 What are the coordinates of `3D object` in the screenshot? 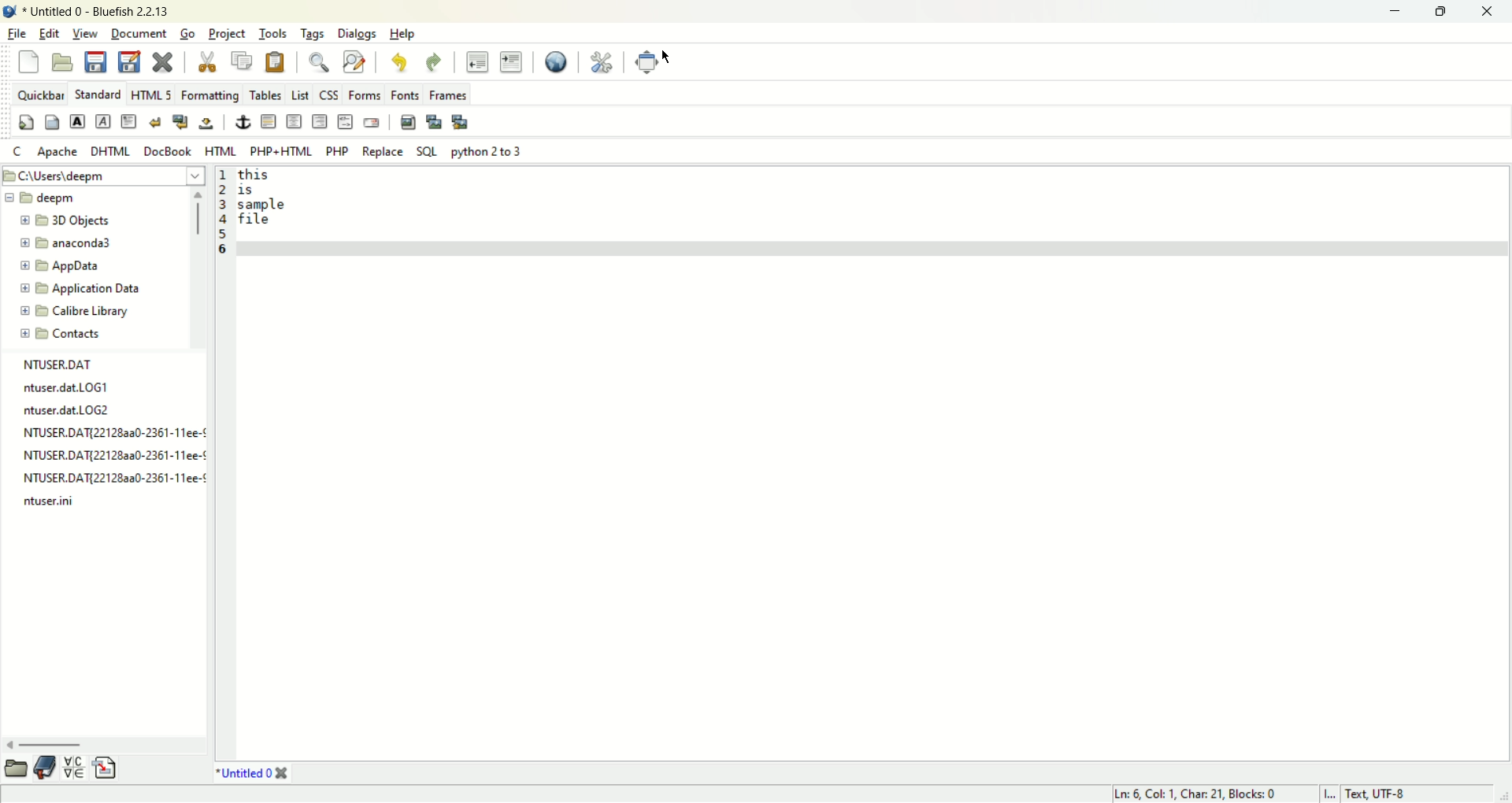 It's located at (69, 220).